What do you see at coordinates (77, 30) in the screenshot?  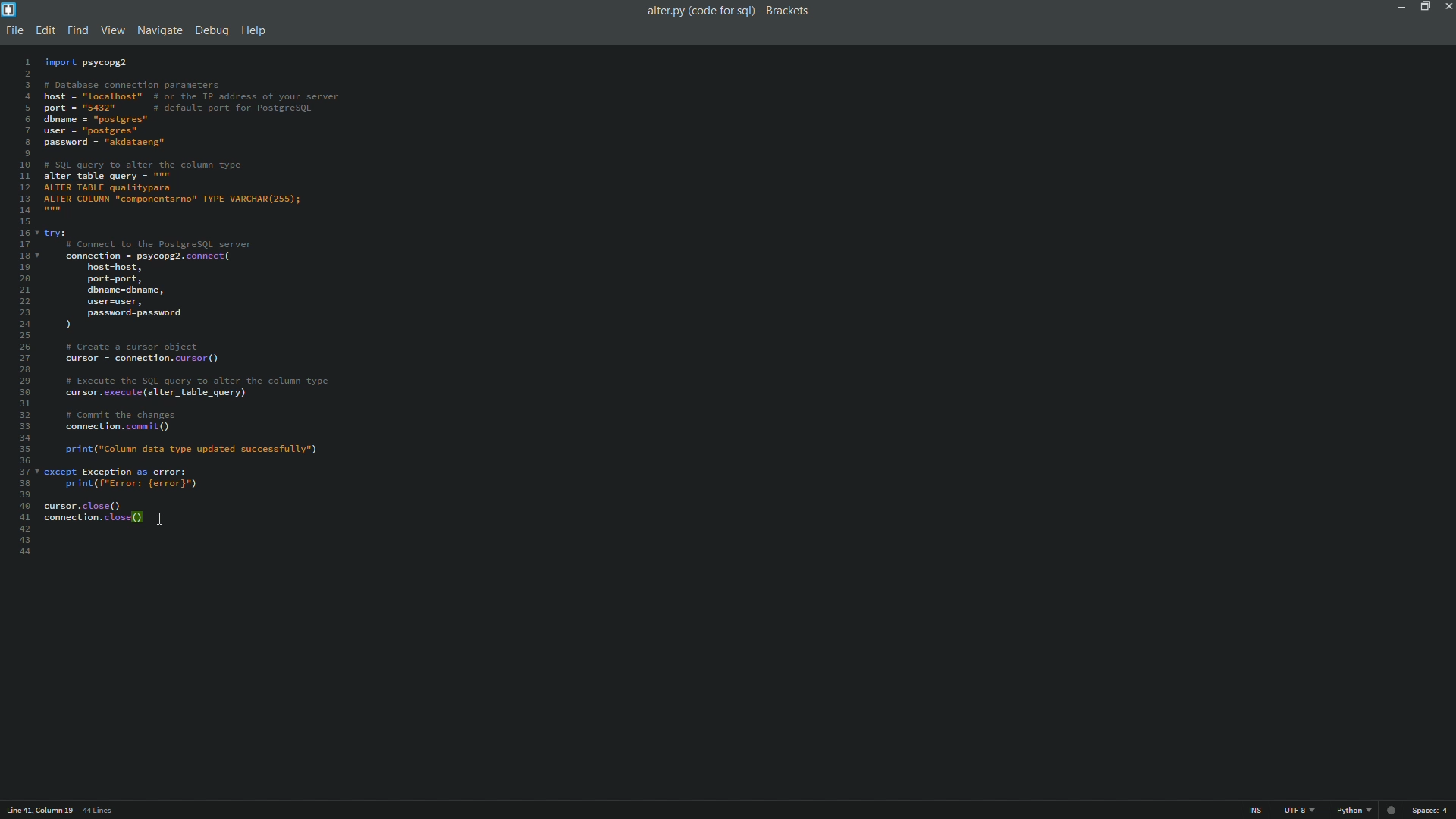 I see `find menu` at bounding box center [77, 30].